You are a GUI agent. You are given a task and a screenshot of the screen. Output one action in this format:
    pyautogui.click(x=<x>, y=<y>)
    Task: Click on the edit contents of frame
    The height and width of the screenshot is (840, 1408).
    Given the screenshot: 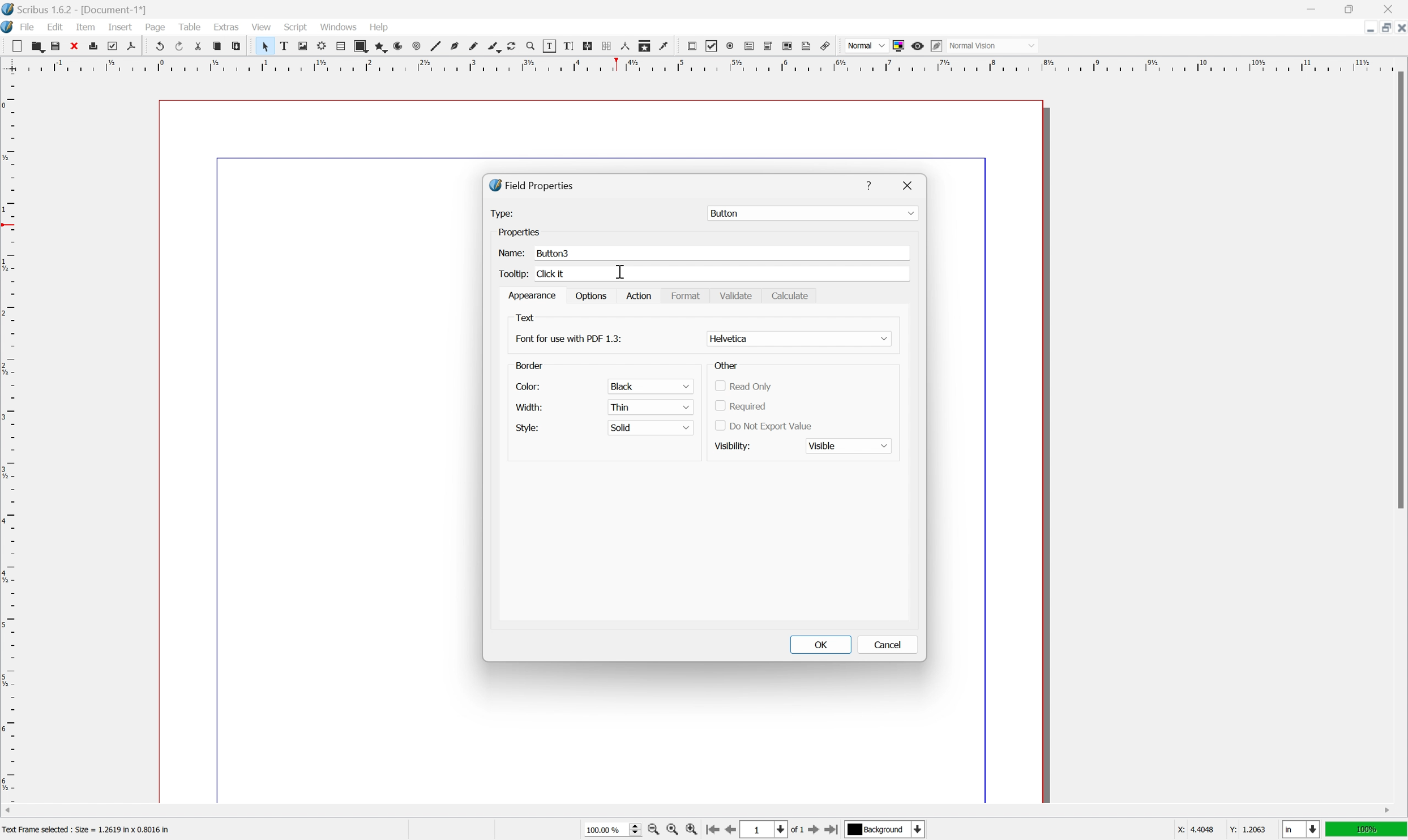 What is the action you would take?
    pyautogui.click(x=550, y=45)
    